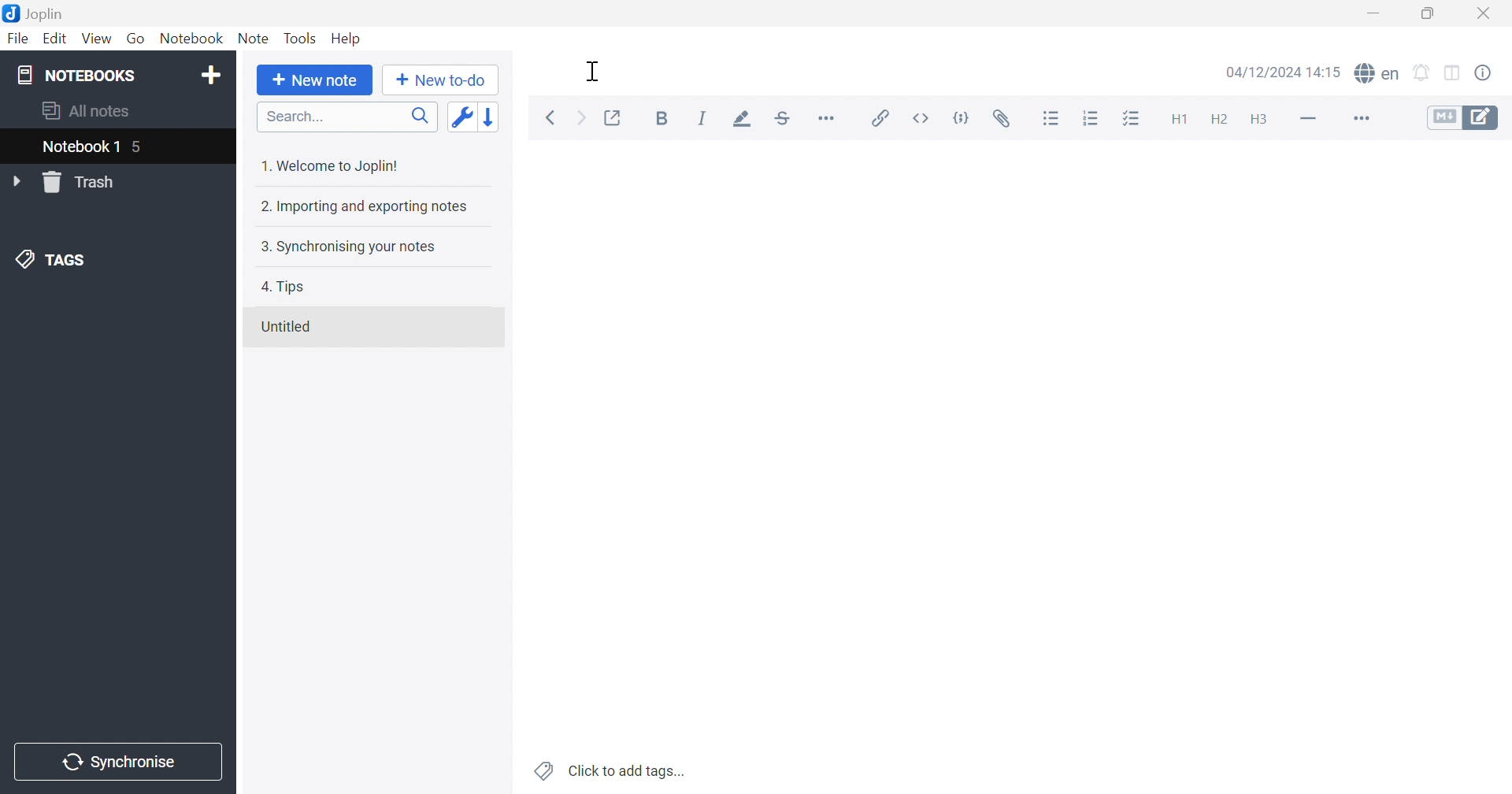 This screenshot has height=794, width=1512. Describe the element at coordinates (612, 771) in the screenshot. I see `Click to add tags...` at that location.